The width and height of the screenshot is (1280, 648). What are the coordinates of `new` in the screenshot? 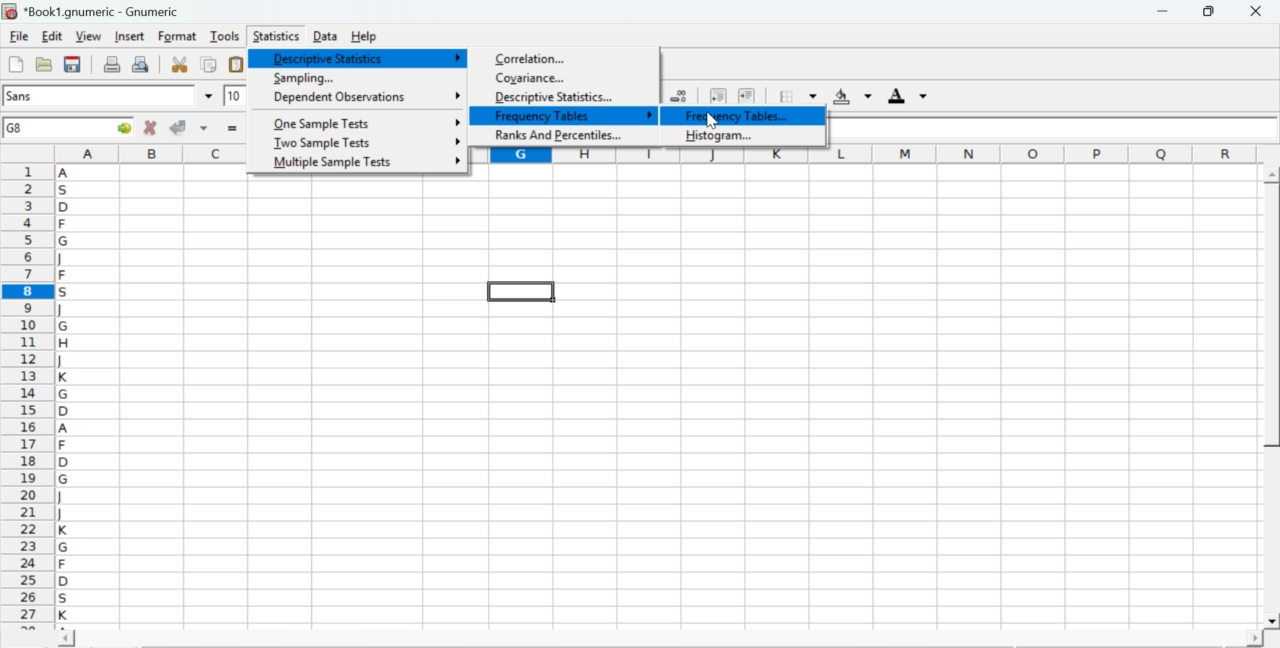 It's located at (15, 64).